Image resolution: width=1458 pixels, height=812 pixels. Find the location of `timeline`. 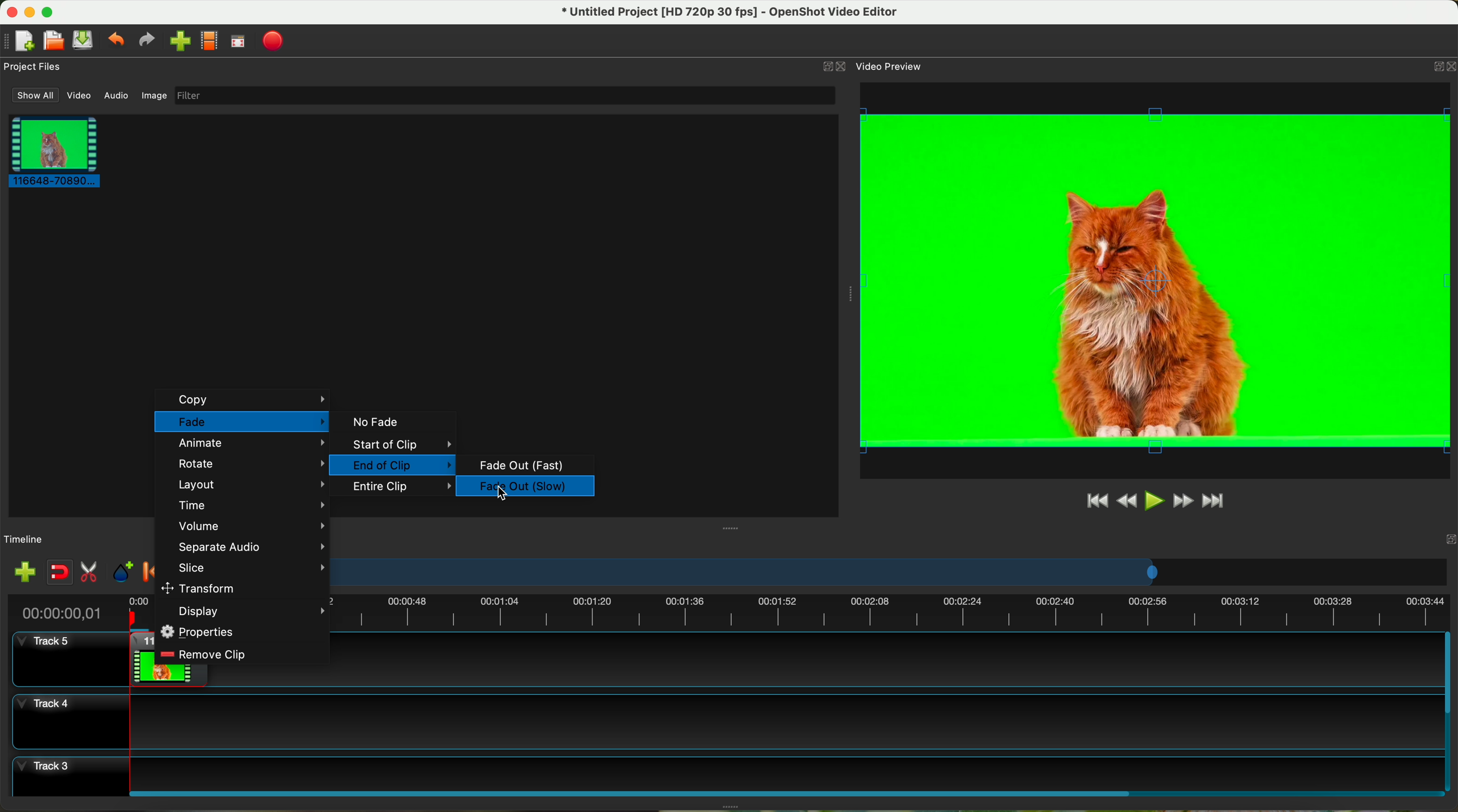

timeline is located at coordinates (893, 572).